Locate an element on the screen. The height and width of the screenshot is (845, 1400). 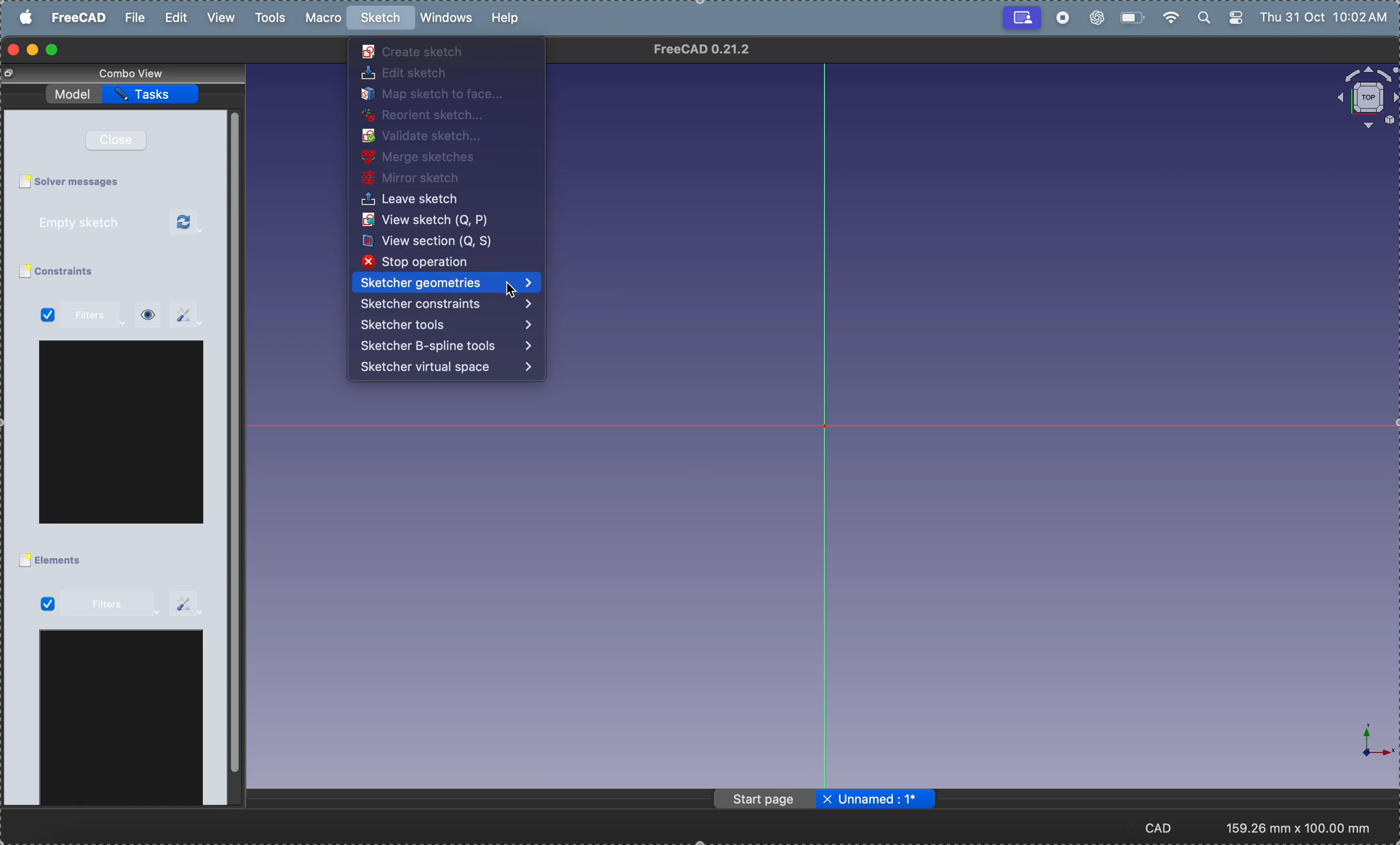
combo view is located at coordinates (135, 73).